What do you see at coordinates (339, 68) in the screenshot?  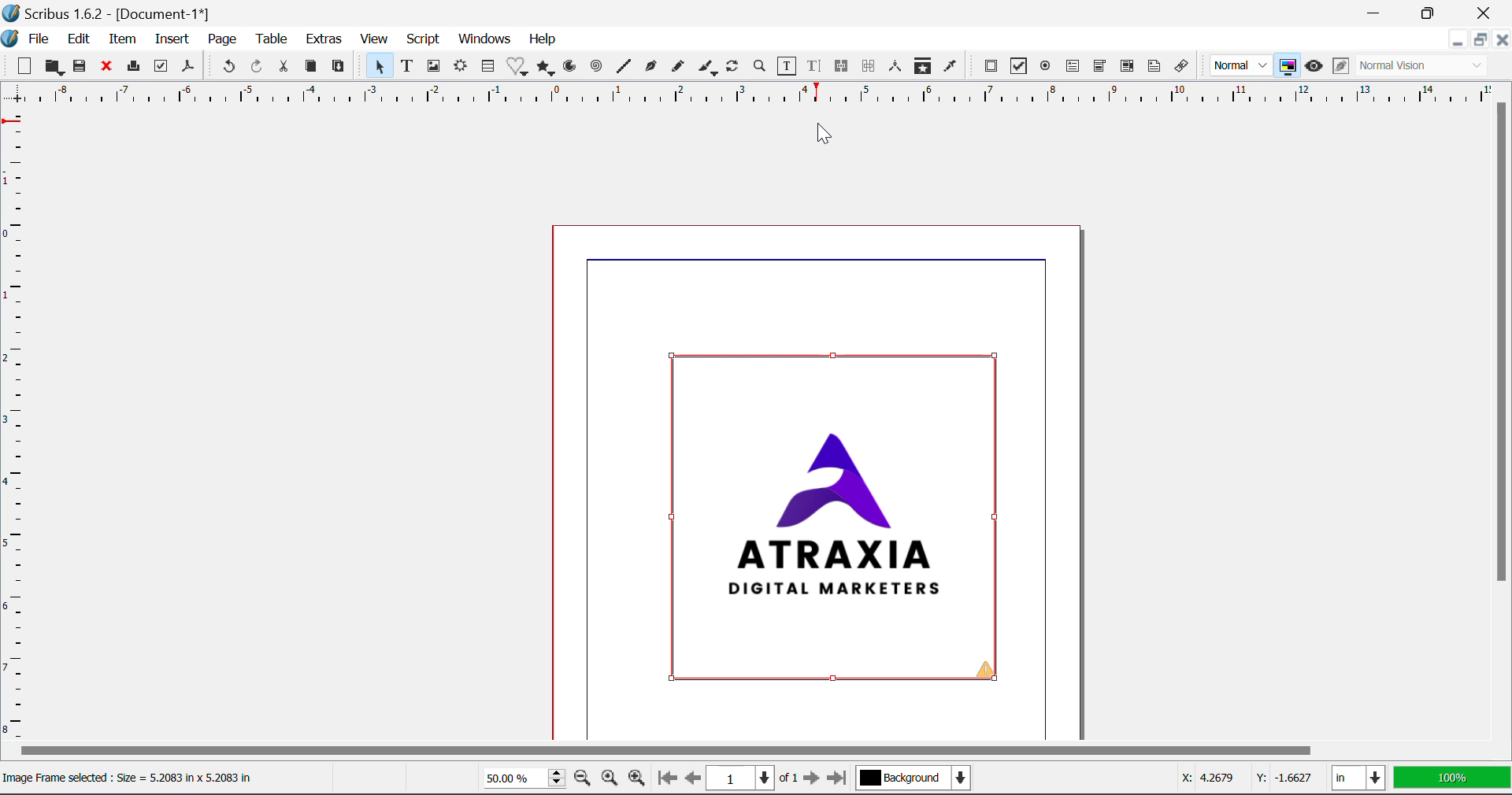 I see `Paste` at bounding box center [339, 68].